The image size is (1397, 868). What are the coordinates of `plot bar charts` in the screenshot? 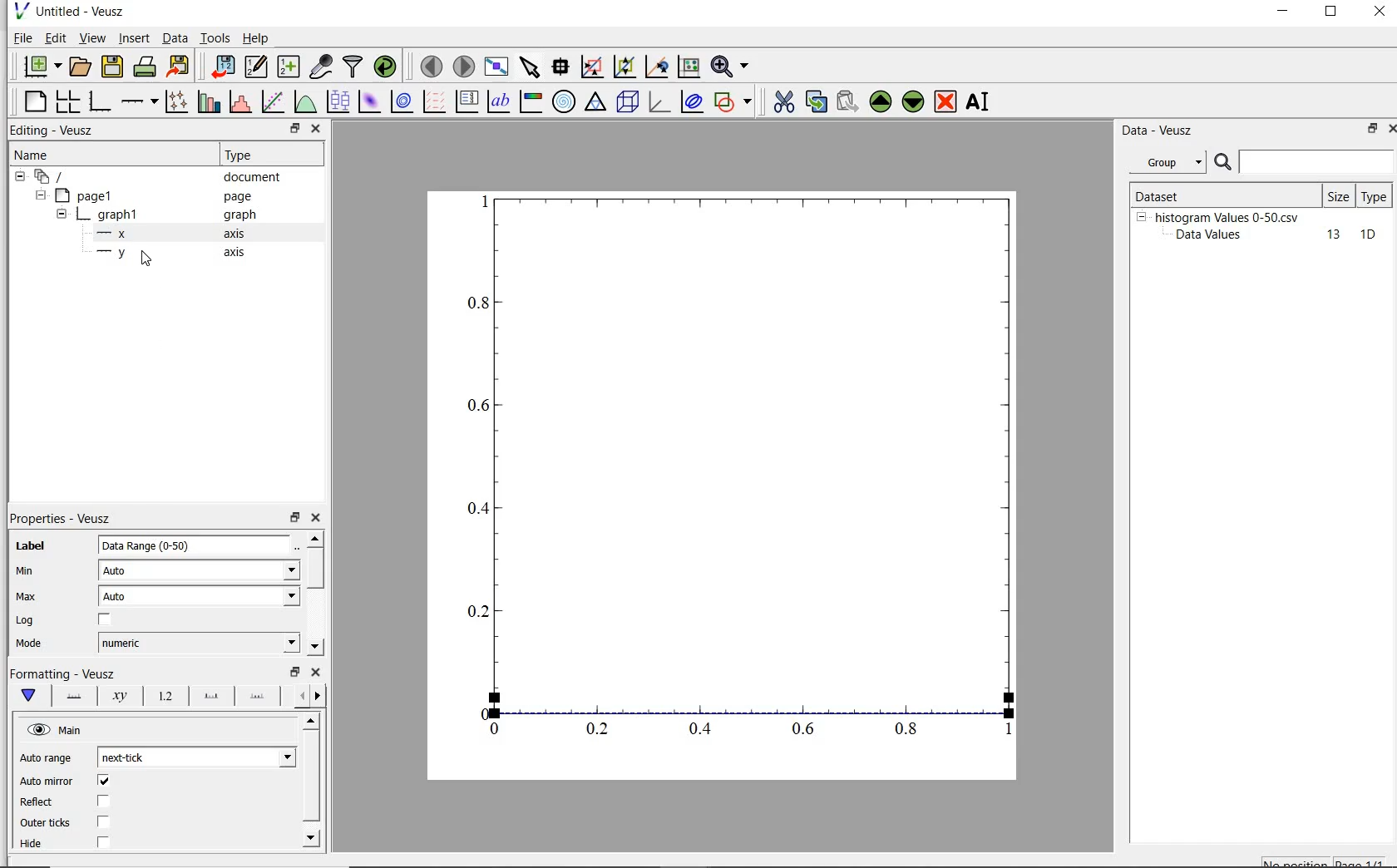 It's located at (209, 101).